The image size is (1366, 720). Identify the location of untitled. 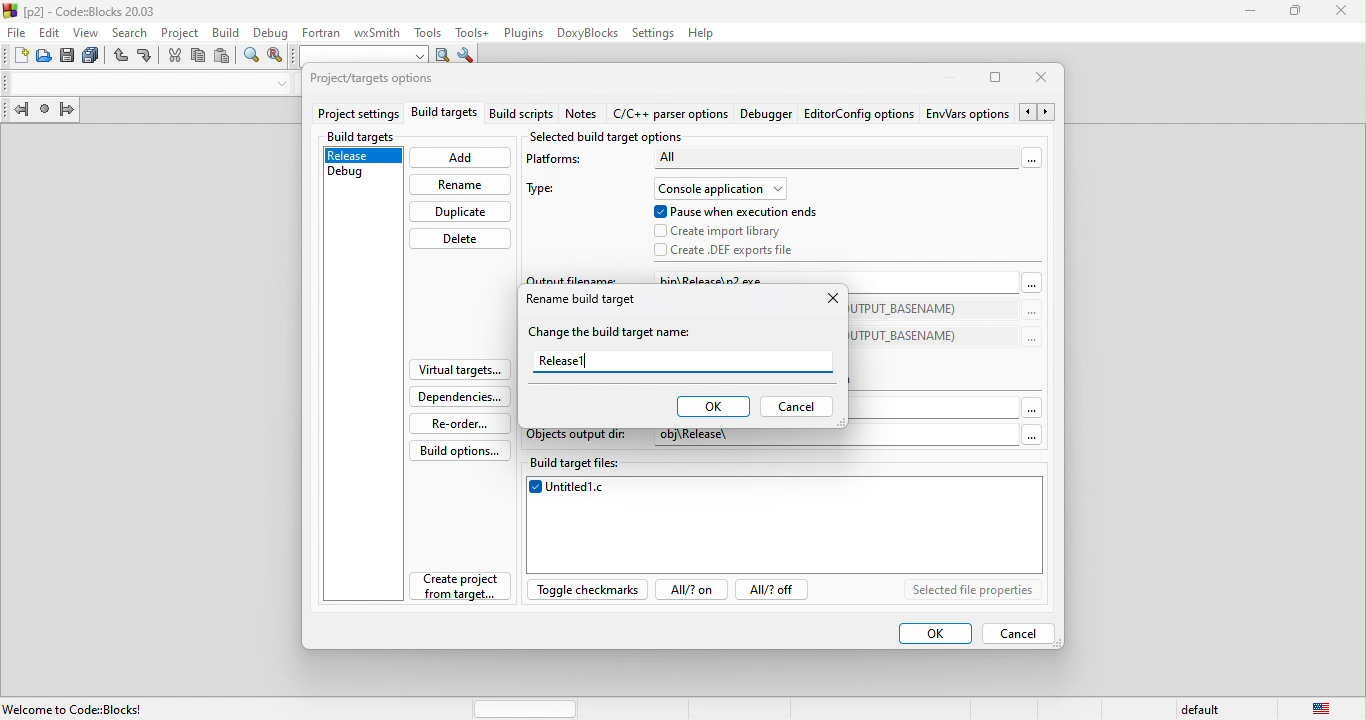
(785, 528).